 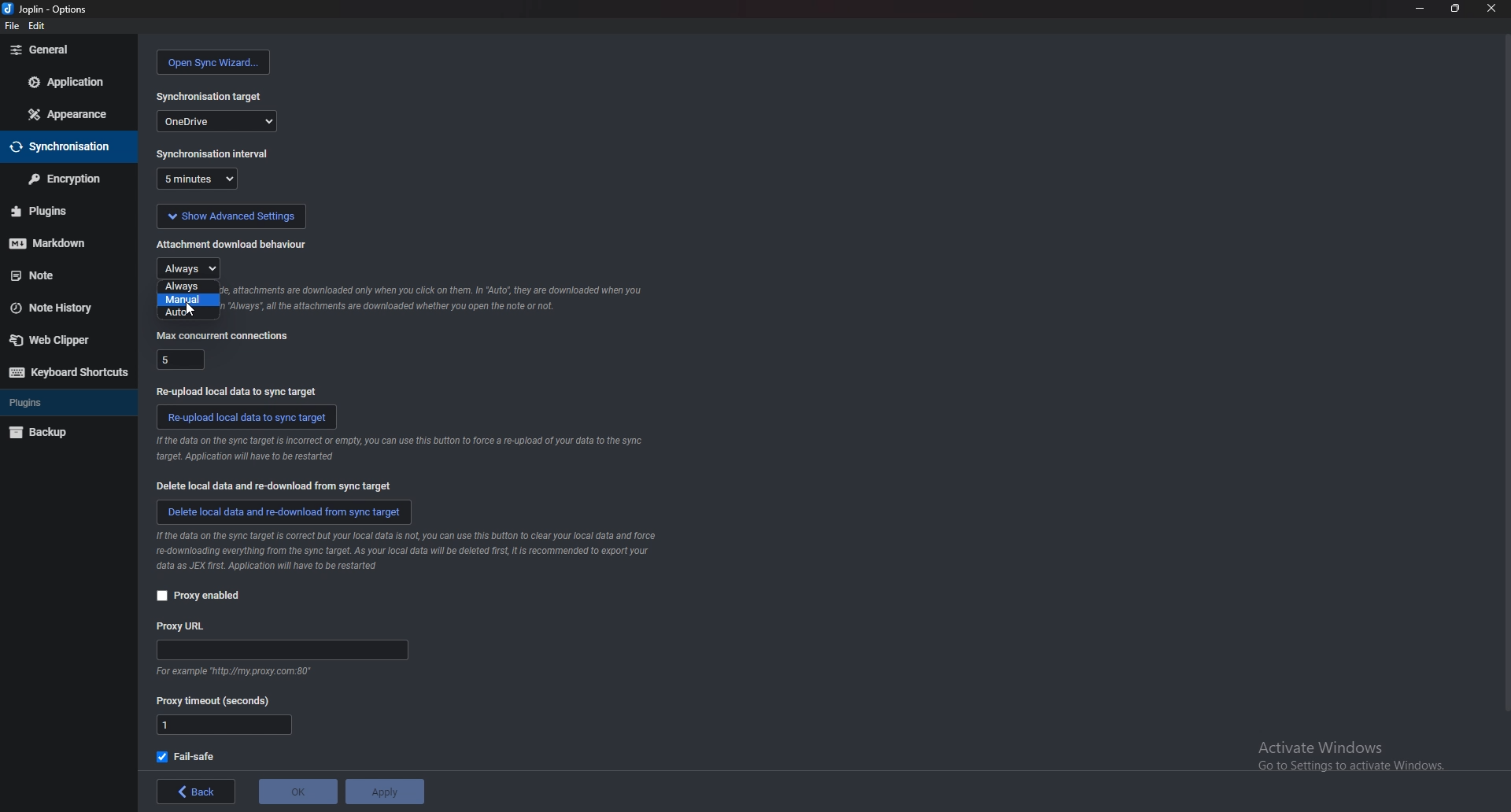 What do you see at coordinates (214, 62) in the screenshot?
I see `open sync wizard` at bounding box center [214, 62].